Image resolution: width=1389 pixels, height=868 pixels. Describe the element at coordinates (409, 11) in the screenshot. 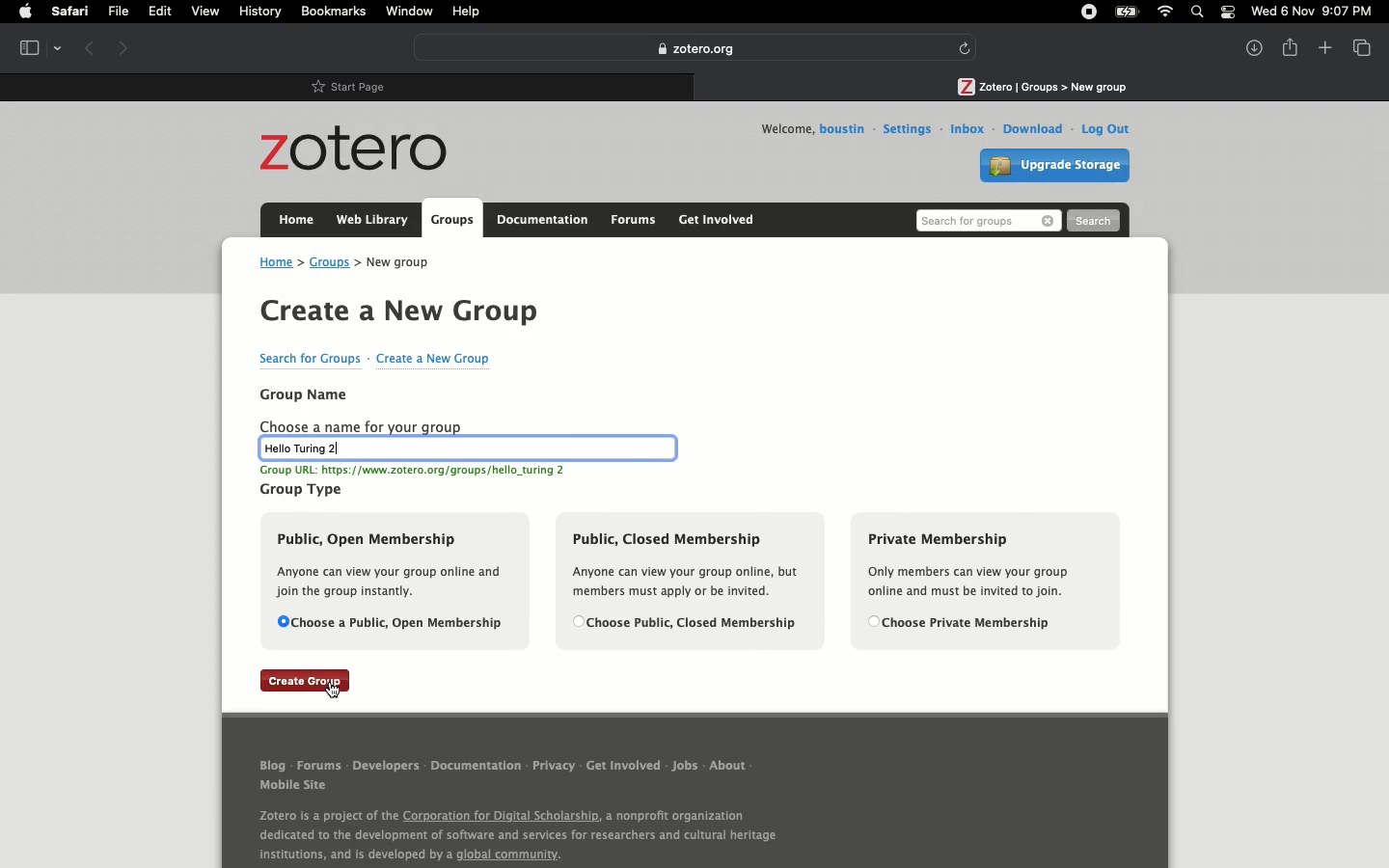

I see `Window` at that location.